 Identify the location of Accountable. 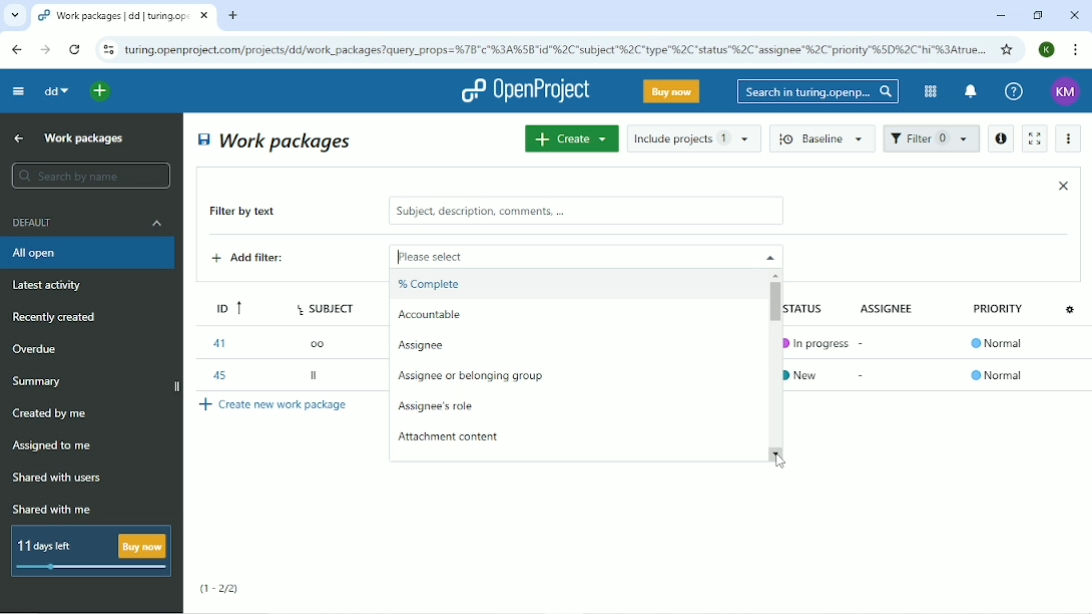
(429, 314).